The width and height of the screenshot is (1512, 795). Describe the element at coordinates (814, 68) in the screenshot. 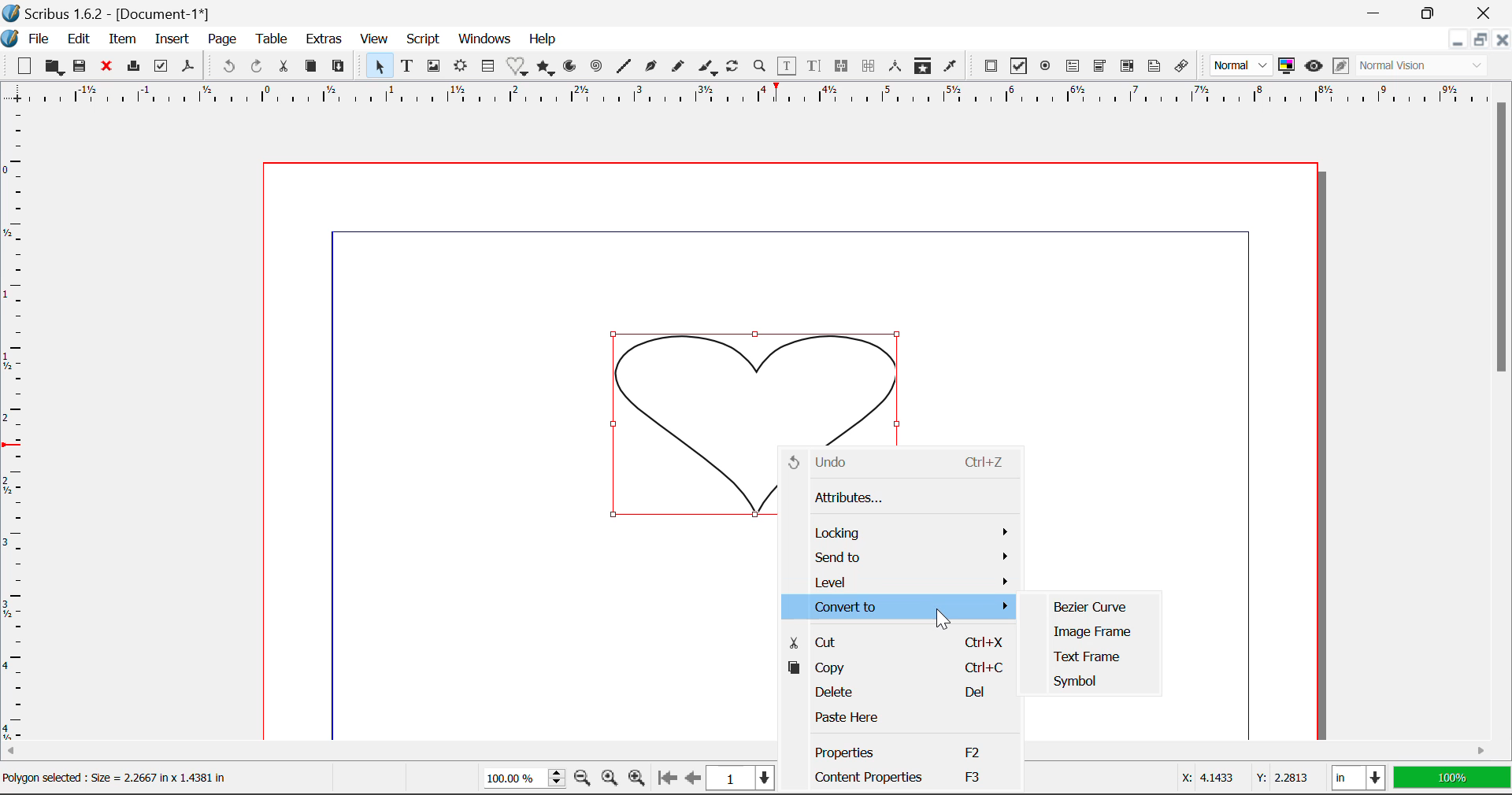

I see `Edit Text in Story Editor` at that location.